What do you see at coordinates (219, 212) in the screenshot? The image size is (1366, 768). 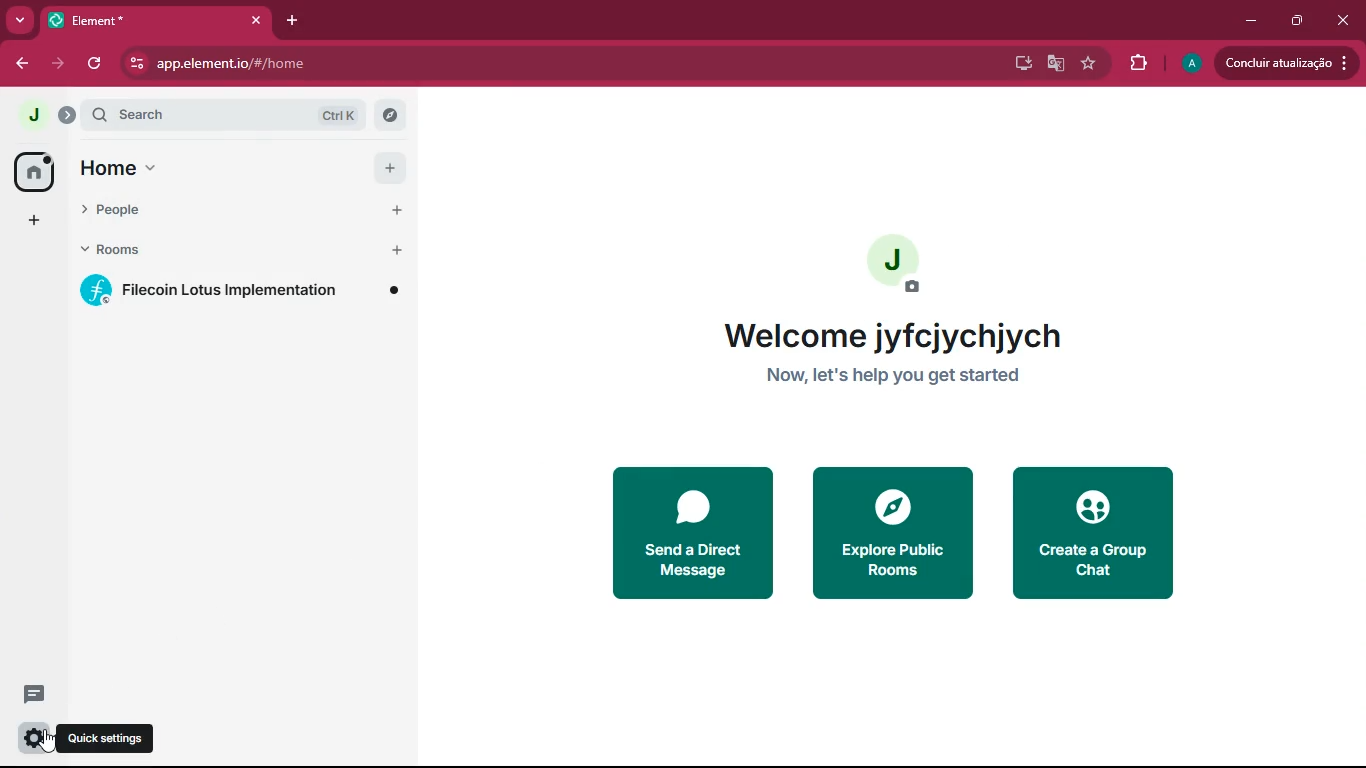 I see `people` at bounding box center [219, 212].